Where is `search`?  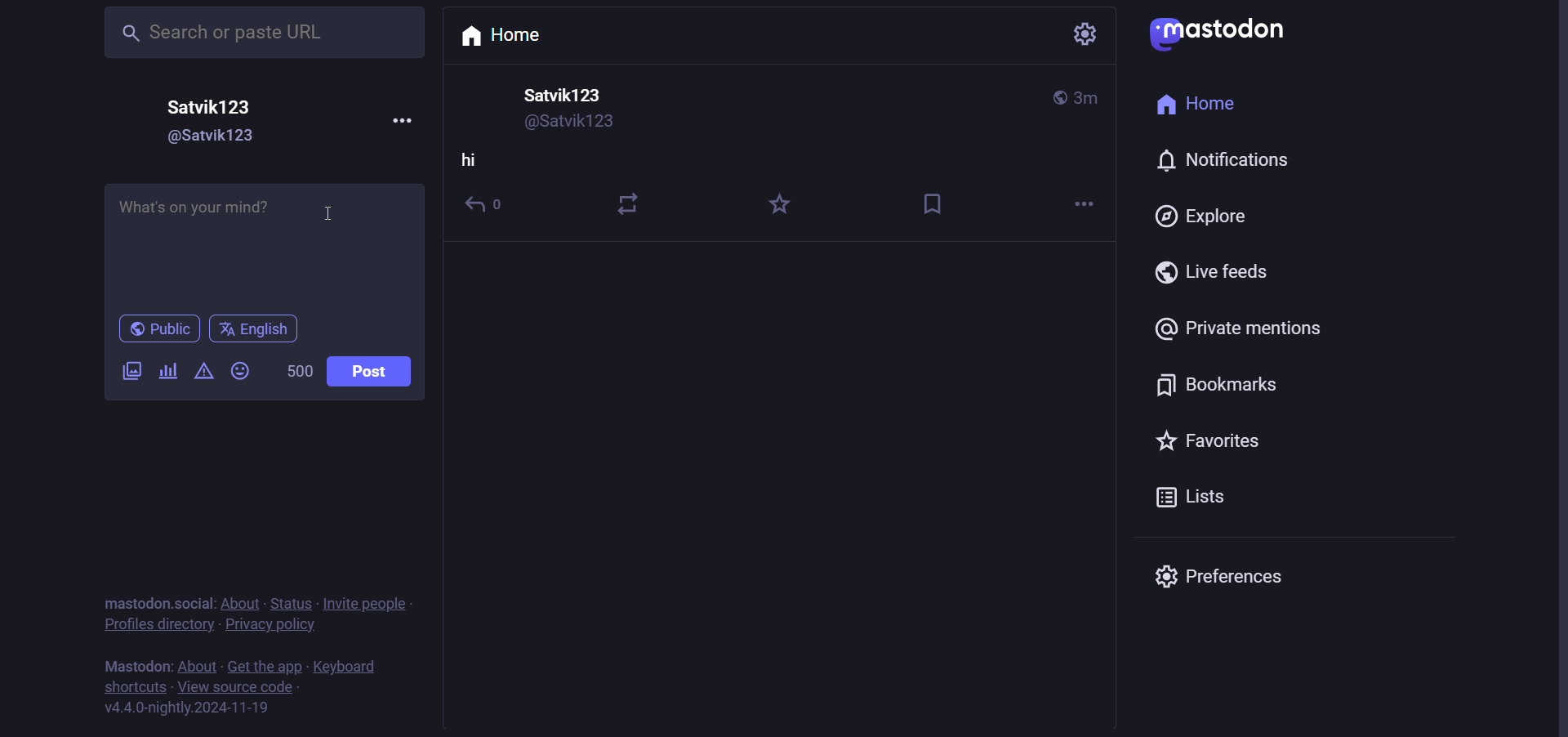
search is located at coordinates (260, 33).